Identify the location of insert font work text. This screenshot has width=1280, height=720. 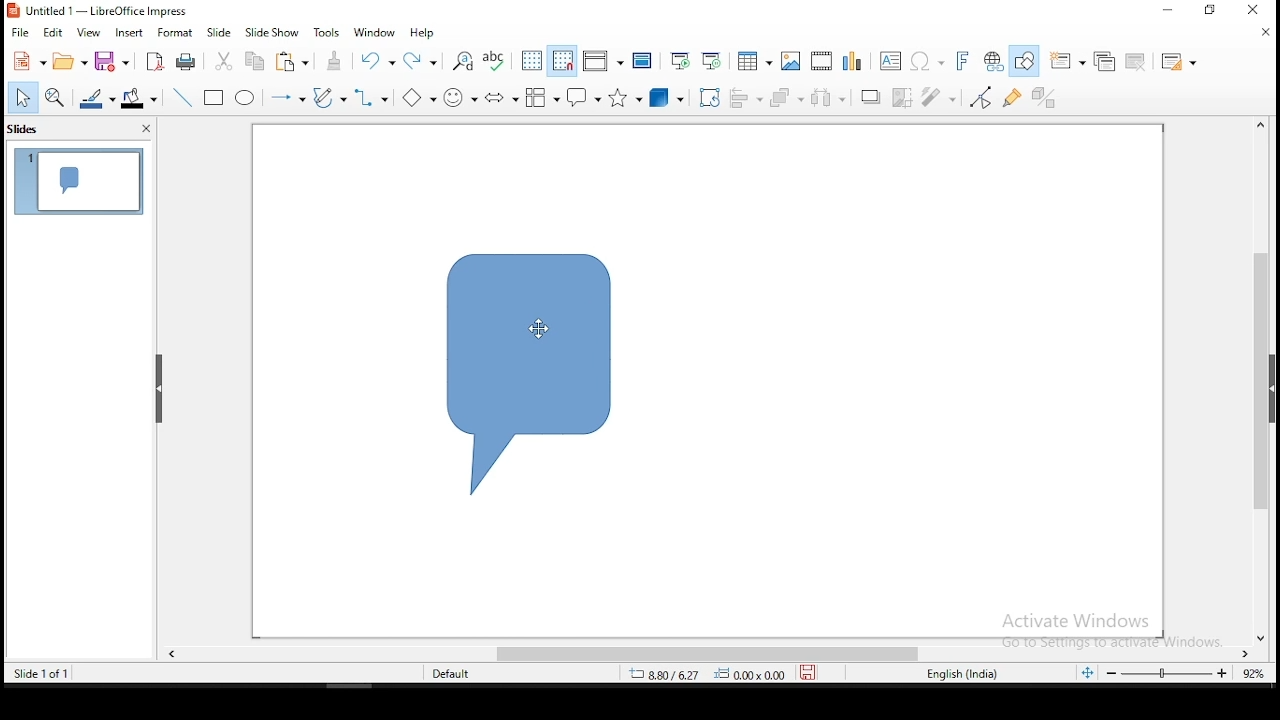
(963, 60).